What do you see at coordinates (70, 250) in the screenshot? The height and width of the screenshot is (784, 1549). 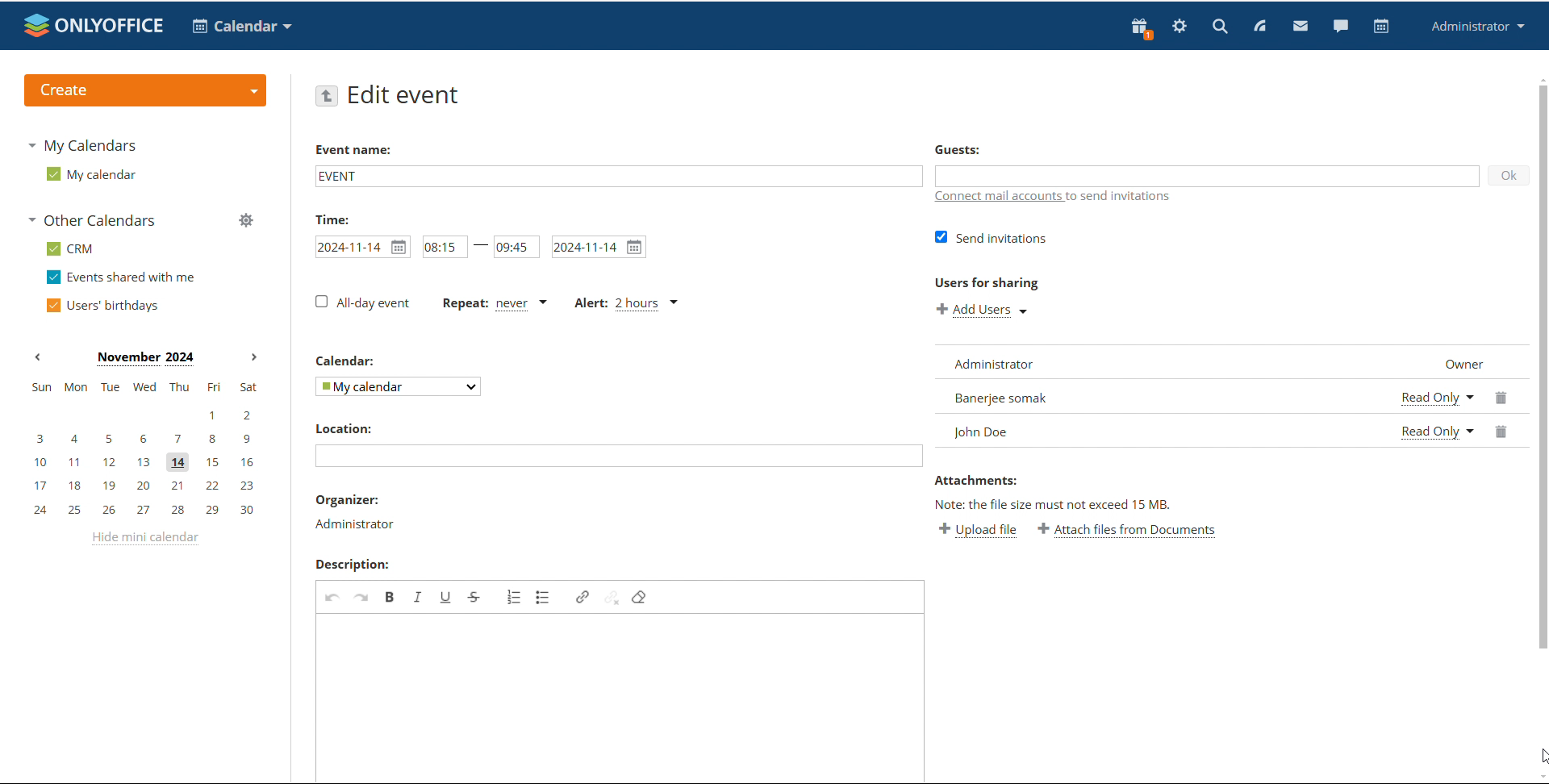 I see `crm` at bounding box center [70, 250].